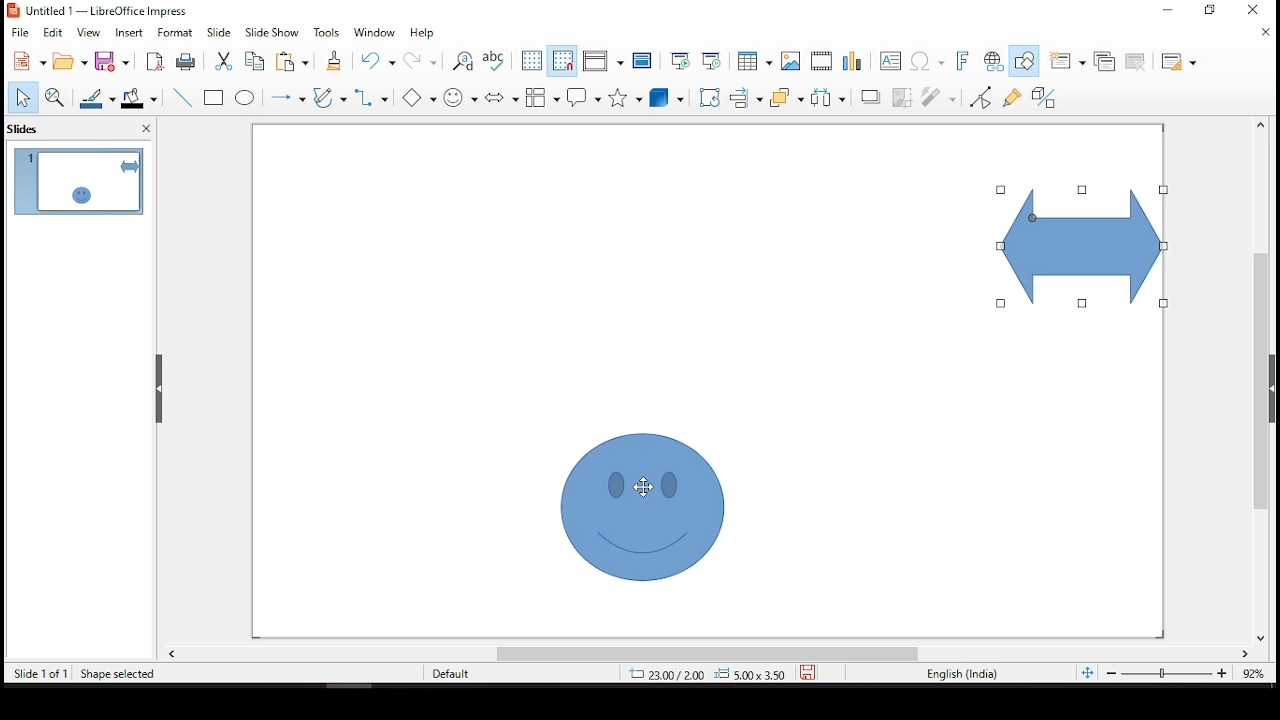  I want to click on toggle extrusion, so click(1043, 97).